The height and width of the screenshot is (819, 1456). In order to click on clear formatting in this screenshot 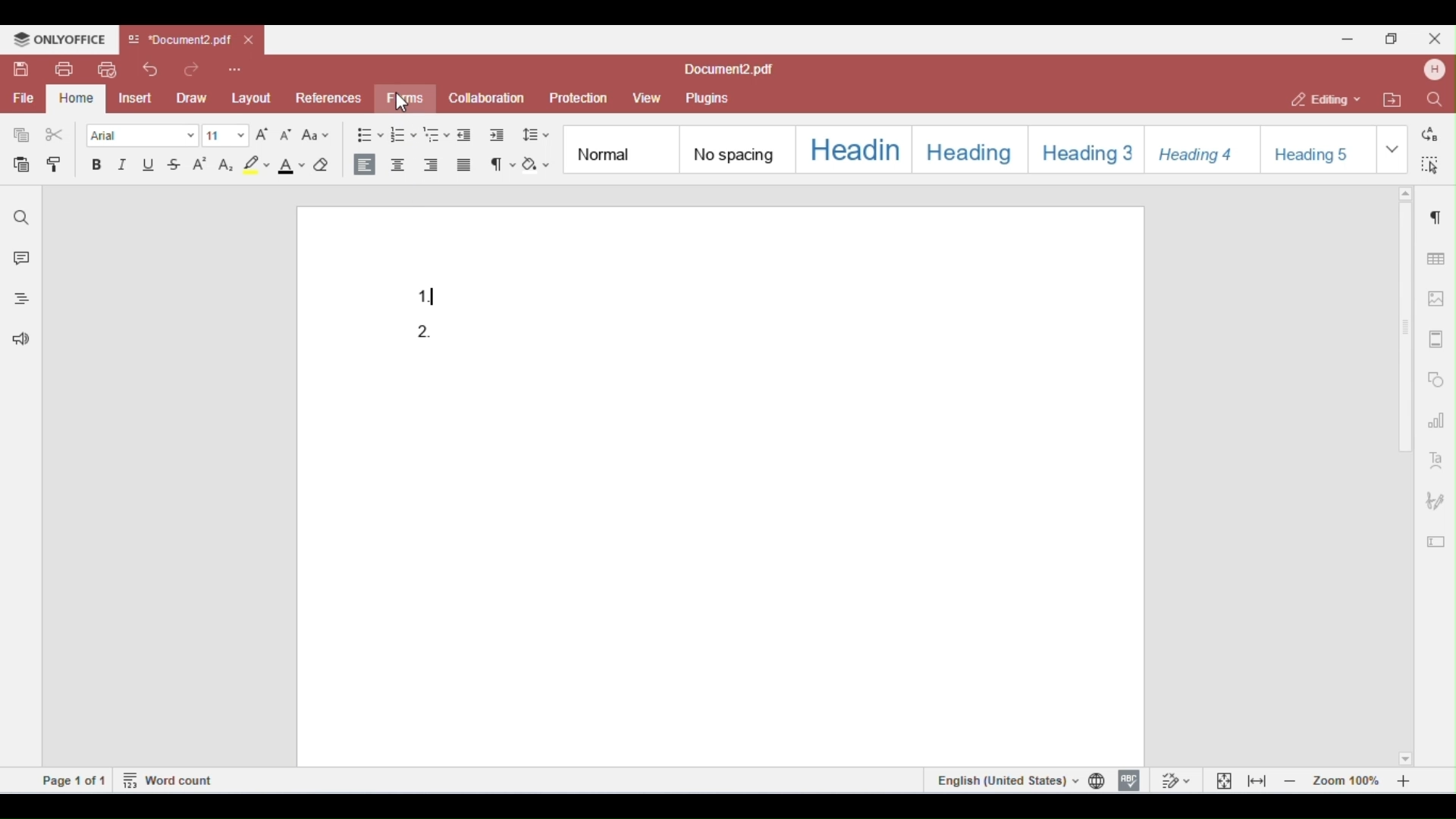, I will do `click(323, 165)`.